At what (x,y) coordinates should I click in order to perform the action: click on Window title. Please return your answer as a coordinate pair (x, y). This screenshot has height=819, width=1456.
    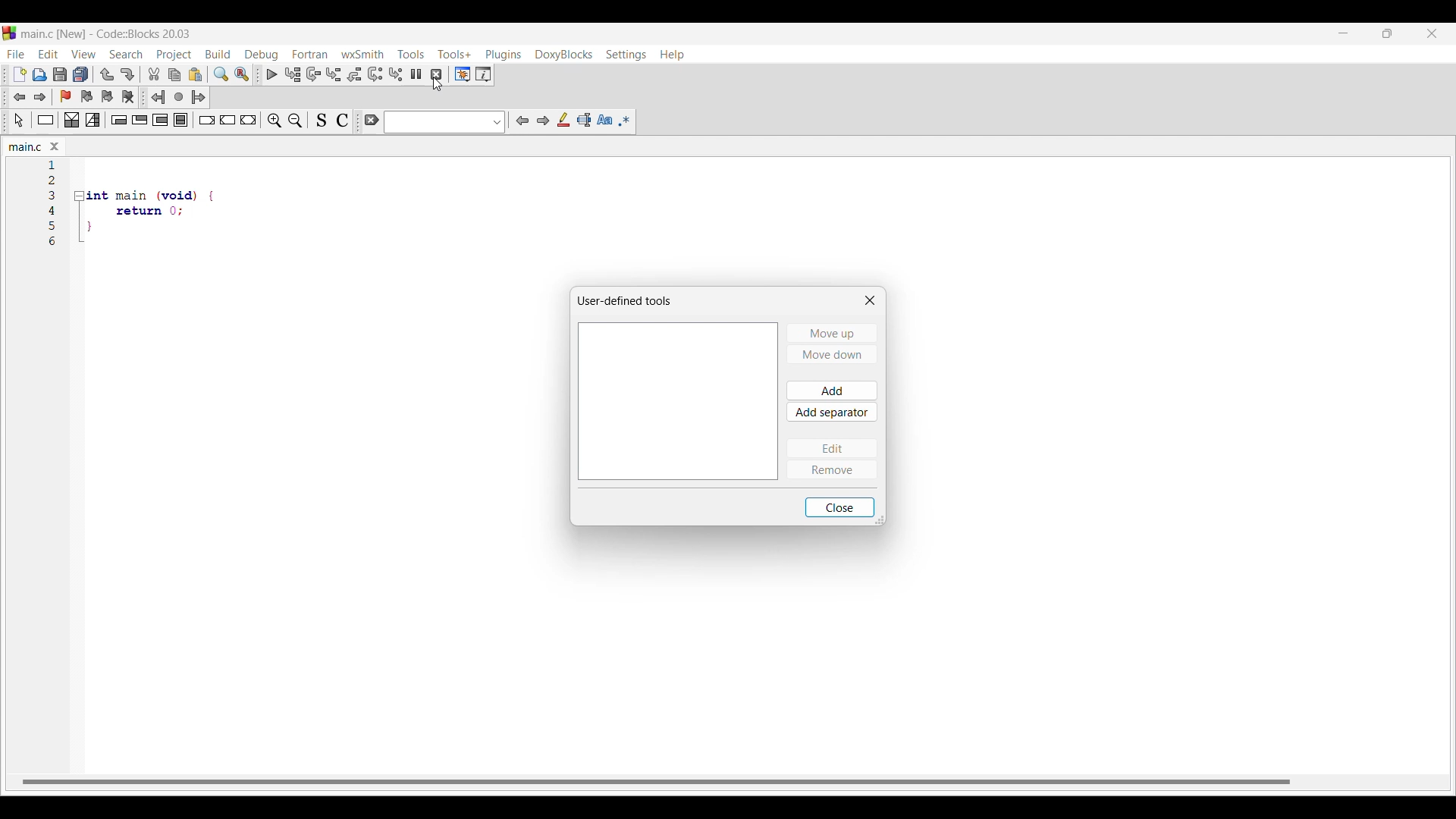
    Looking at the image, I should click on (624, 301).